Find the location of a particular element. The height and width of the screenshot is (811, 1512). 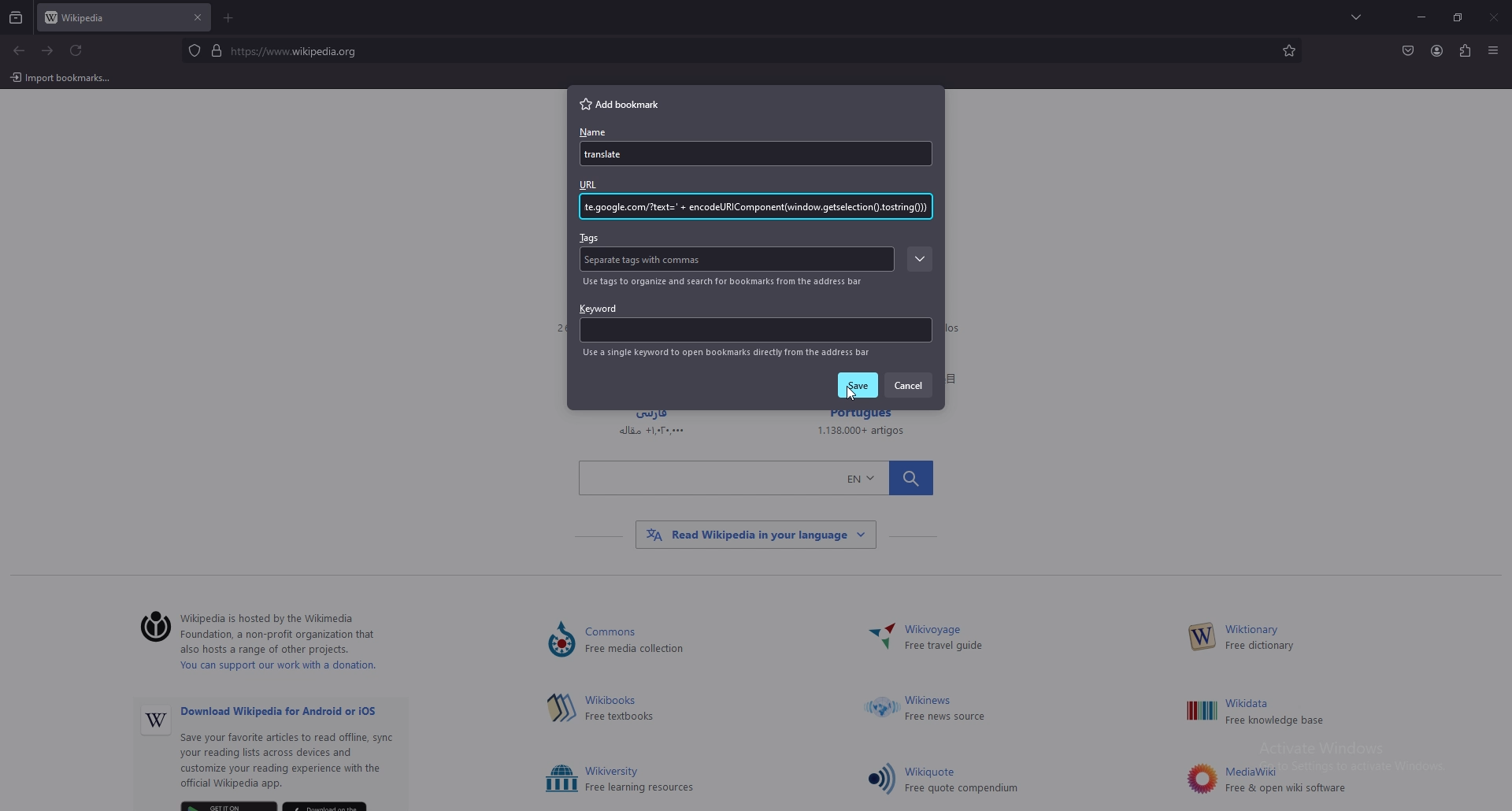

 is located at coordinates (561, 641).